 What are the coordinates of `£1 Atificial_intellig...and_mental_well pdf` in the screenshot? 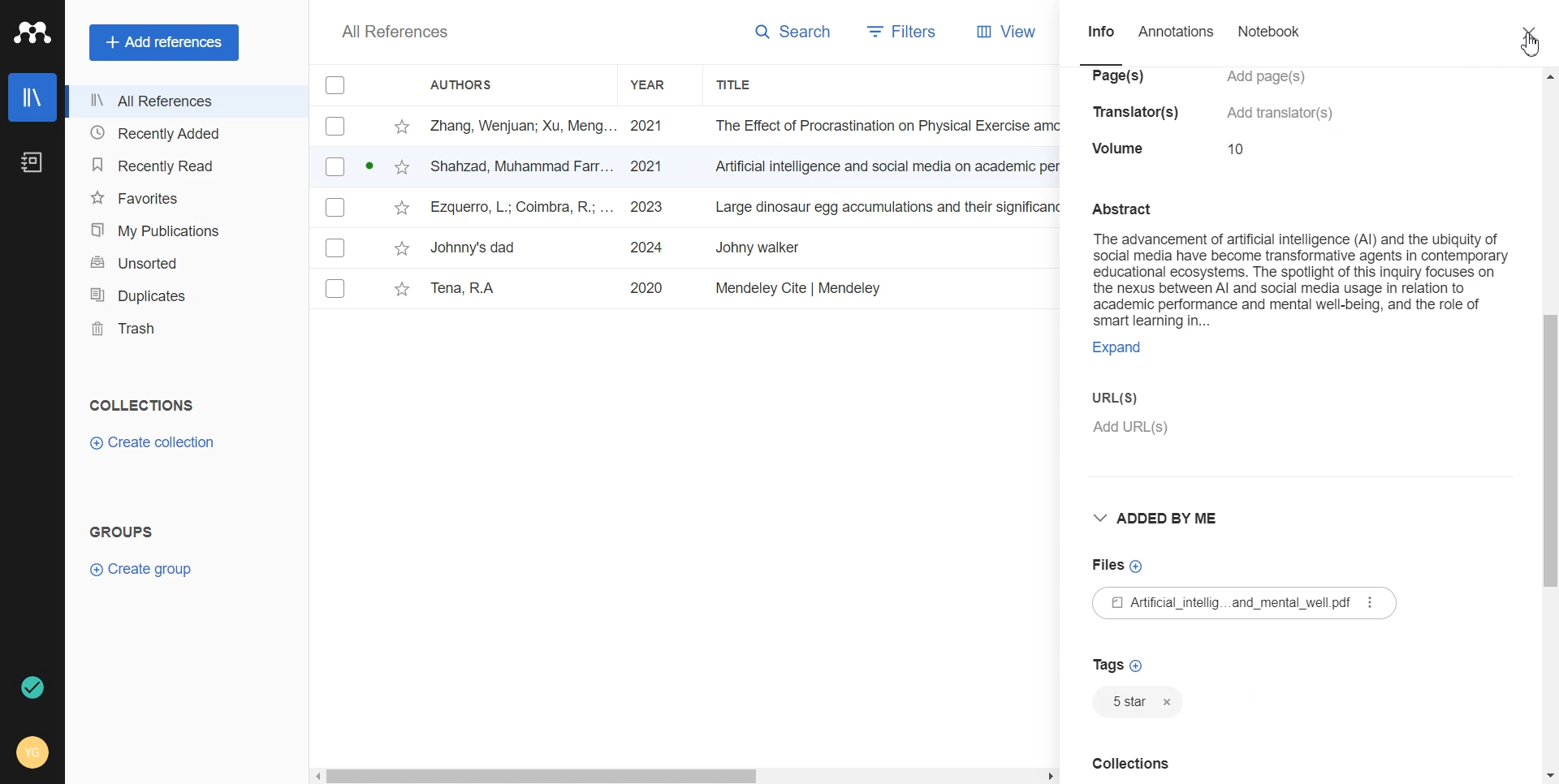 It's located at (1251, 603).